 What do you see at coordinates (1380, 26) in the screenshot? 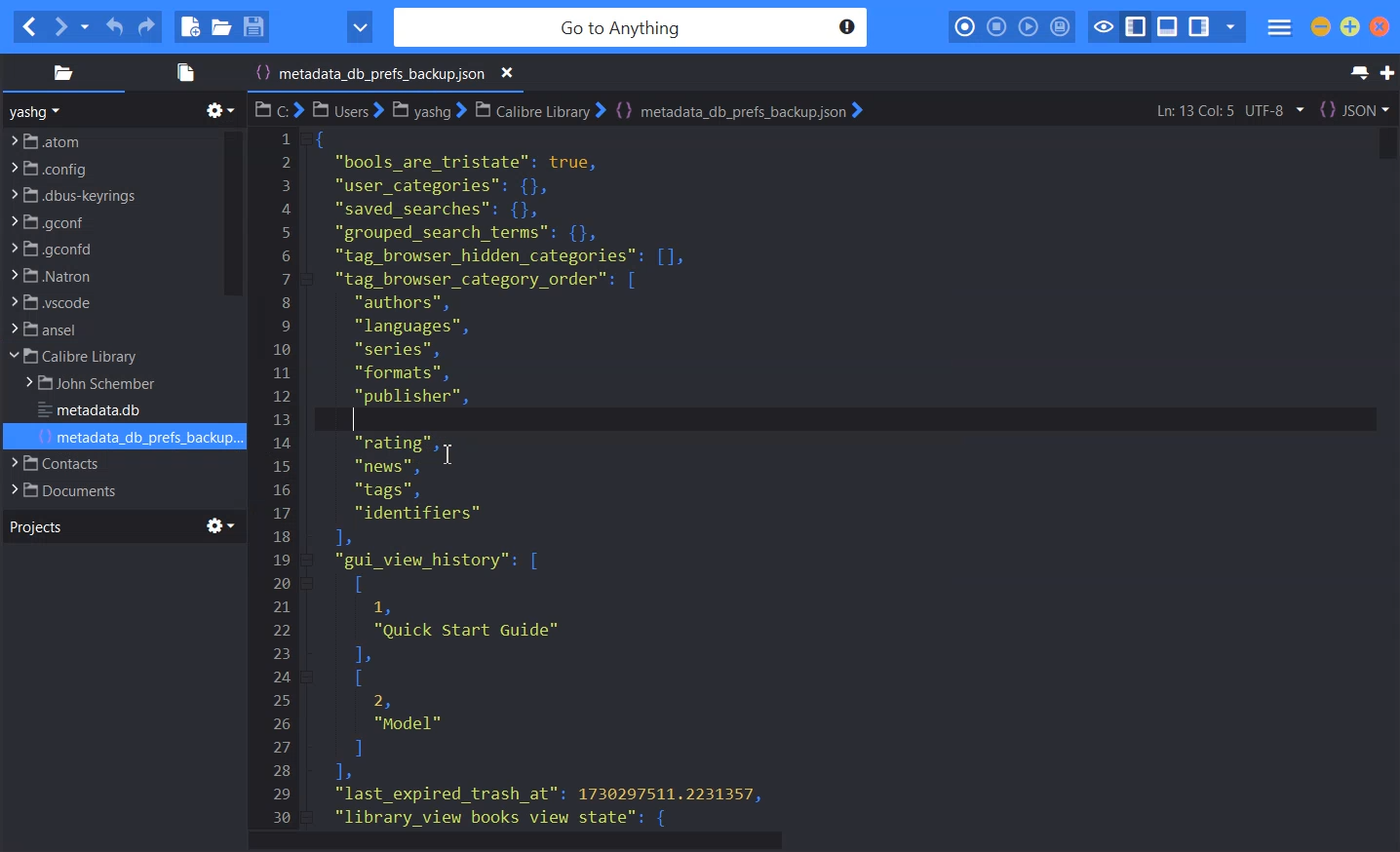
I see `Close` at bounding box center [1380, 26].